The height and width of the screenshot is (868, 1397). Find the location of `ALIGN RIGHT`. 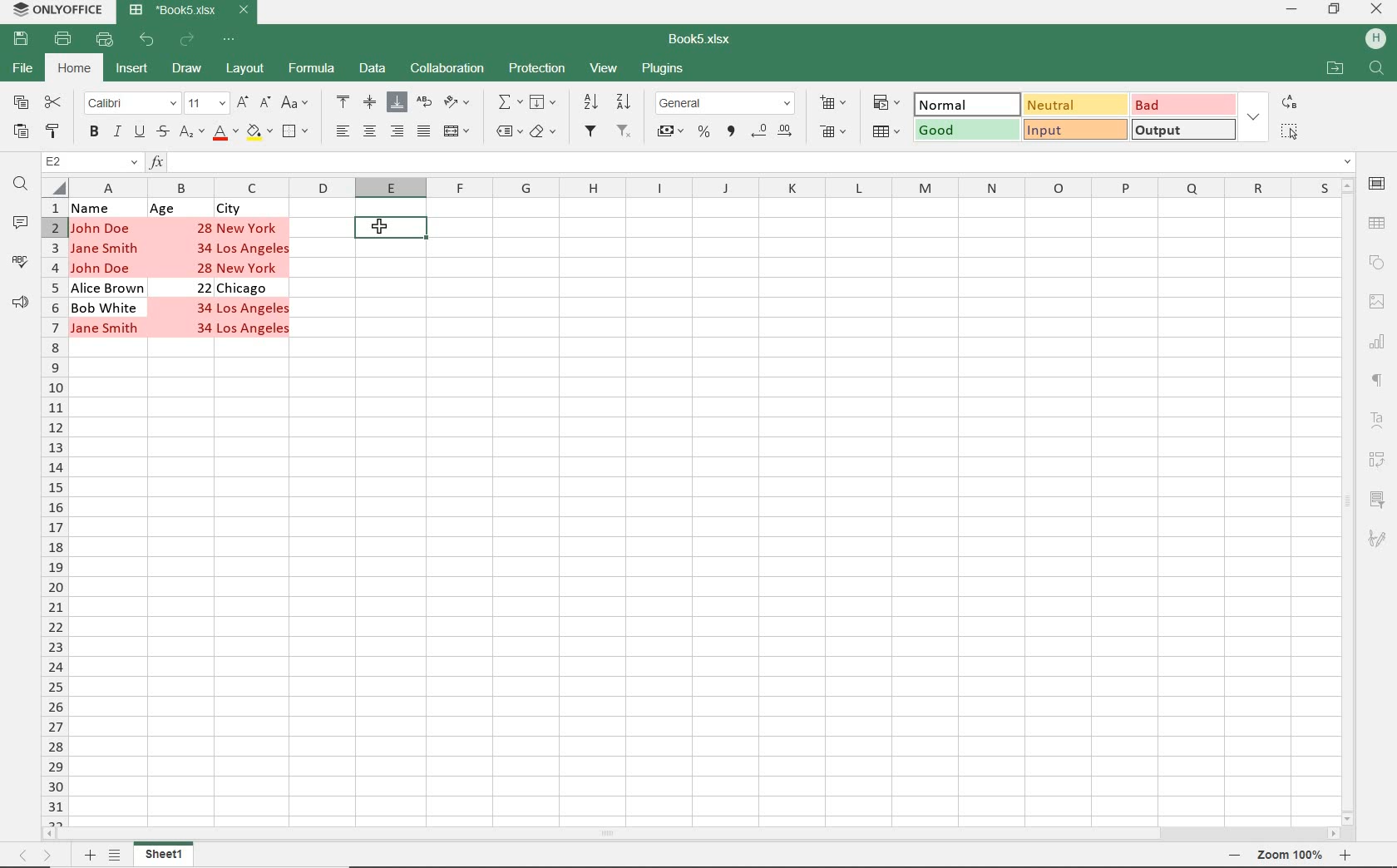

ALIGN RIGHT is located at coordinates (397, 133).